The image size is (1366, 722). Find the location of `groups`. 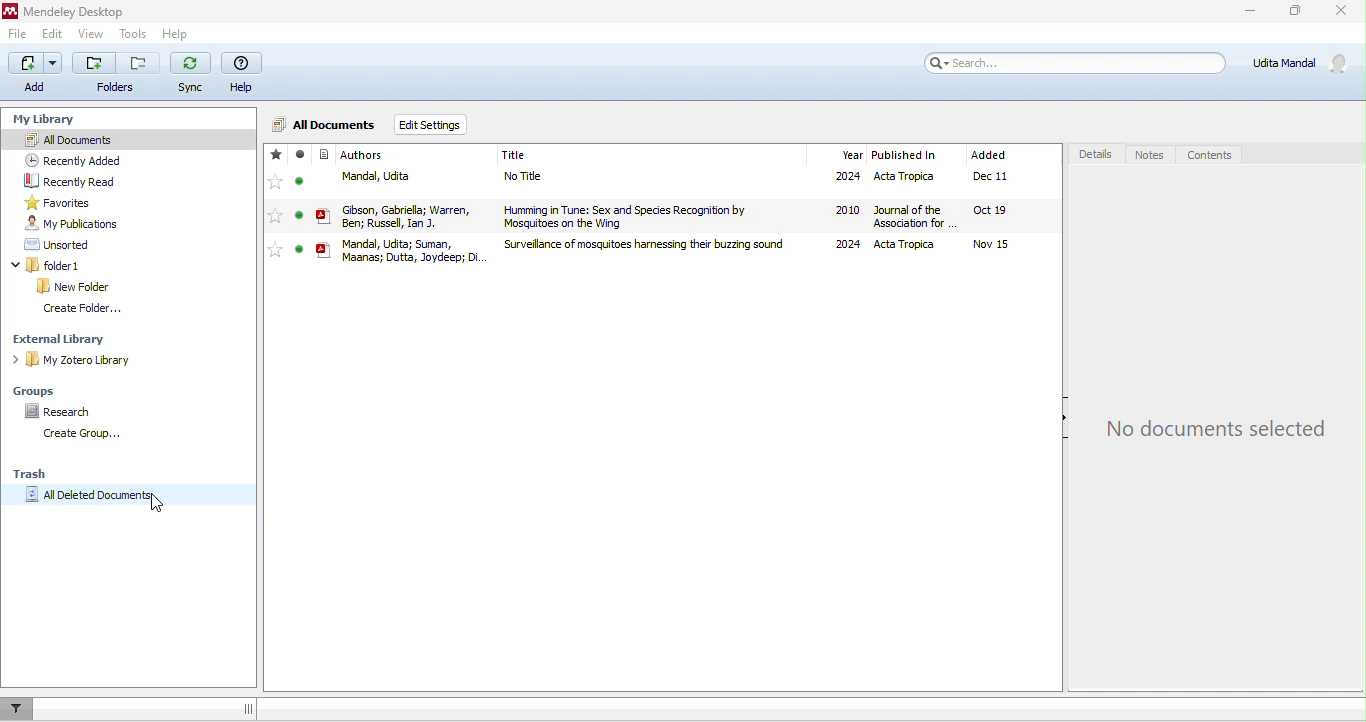

groups is located at coordinates (35, 390).